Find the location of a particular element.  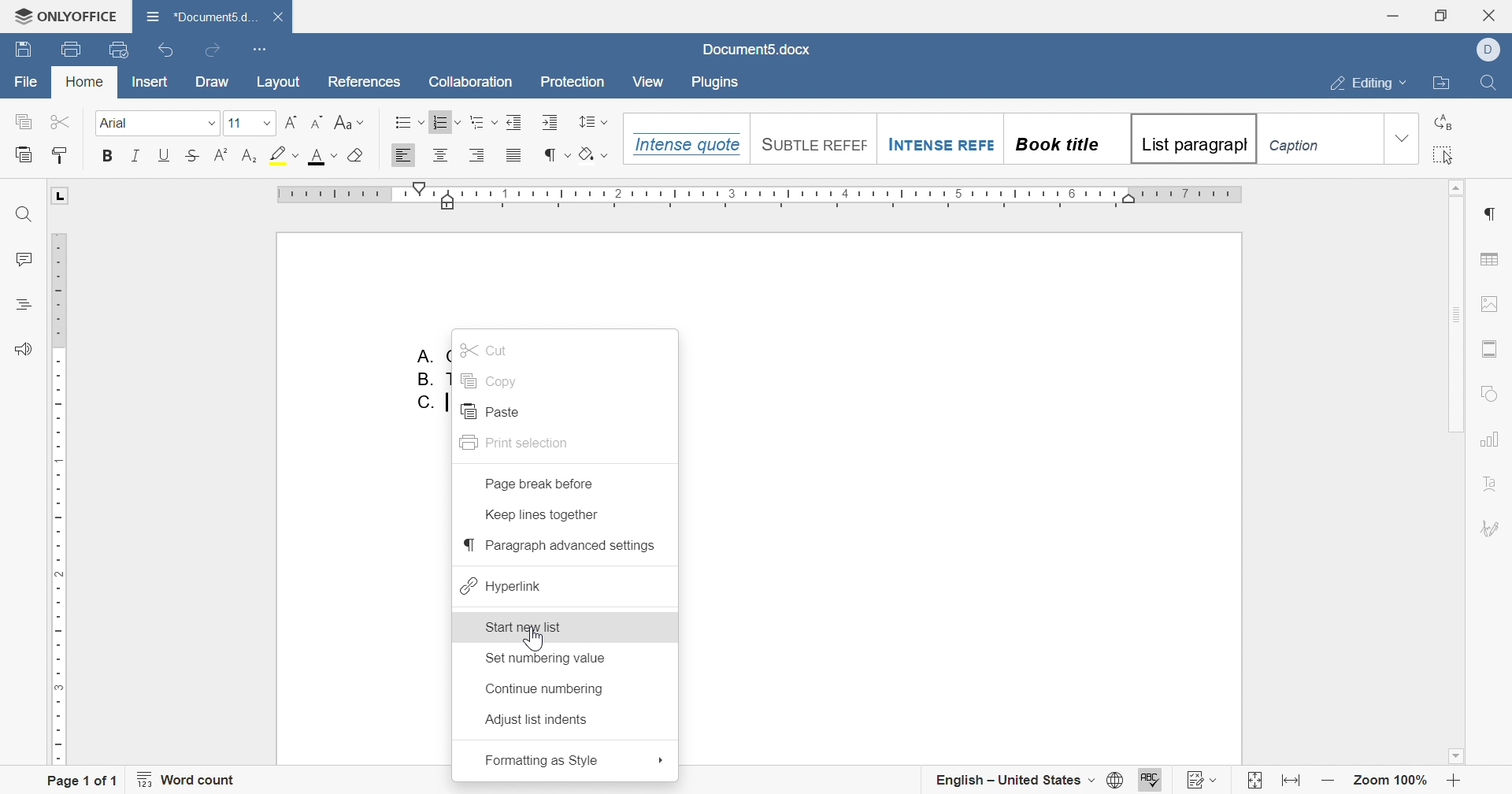

print selection is located at coordinates (515, 443).